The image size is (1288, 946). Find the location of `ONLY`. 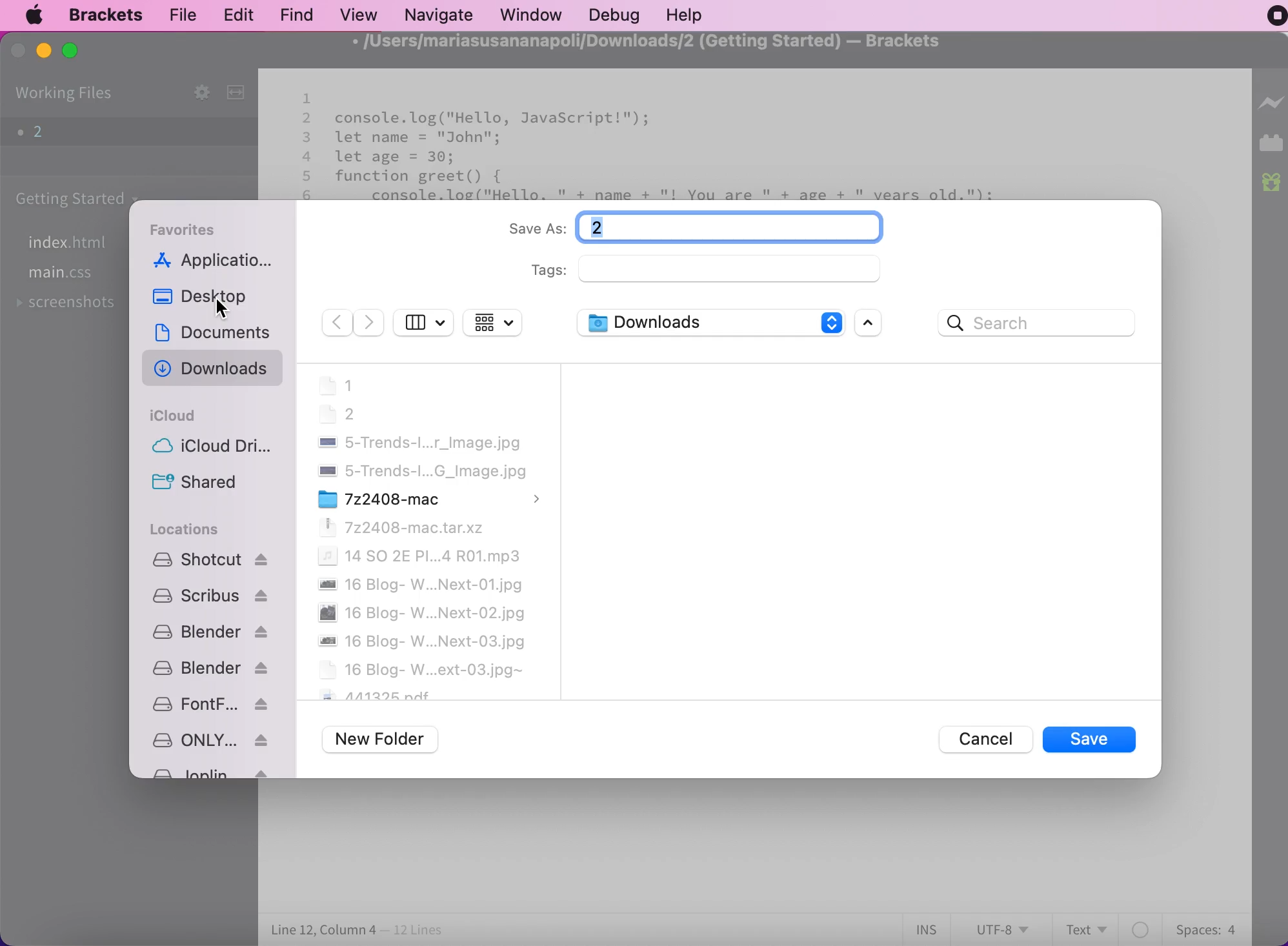

ONLY is located at coordinates (209, 740).